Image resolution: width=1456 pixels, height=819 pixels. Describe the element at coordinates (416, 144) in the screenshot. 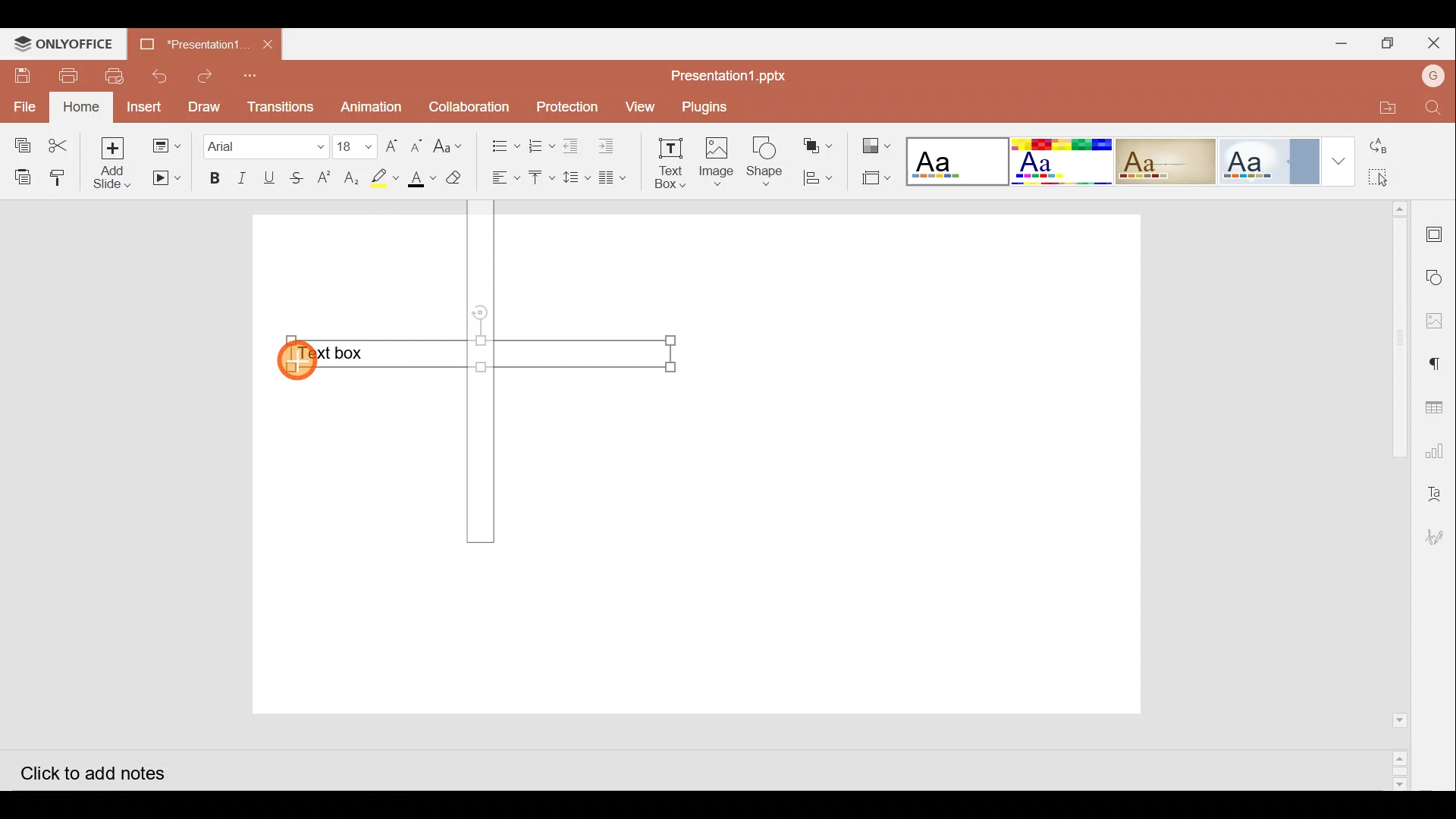

I see `Decrease font size` at that location.